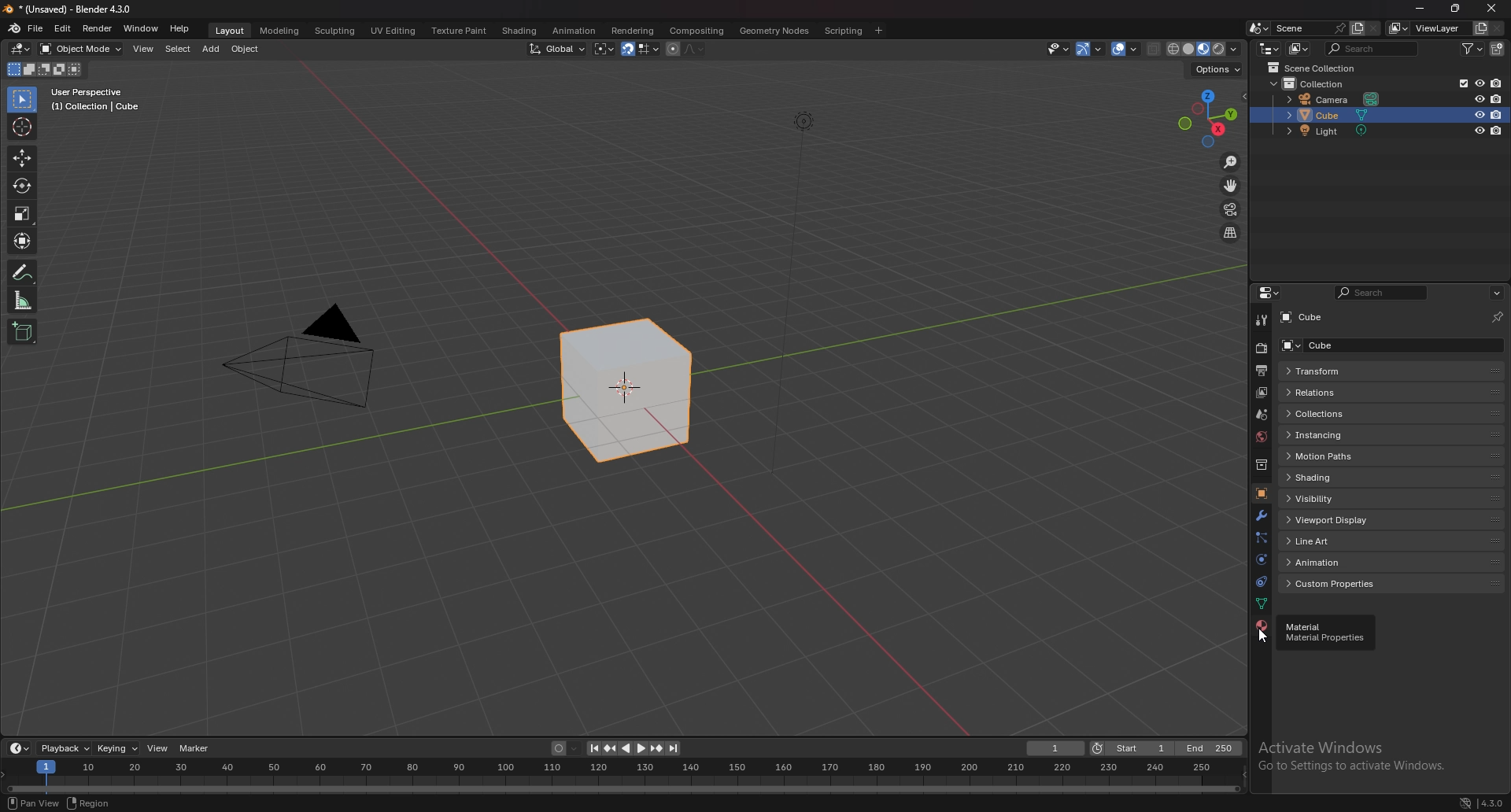  I want to click on hide in viewport, so click(1480, 82).